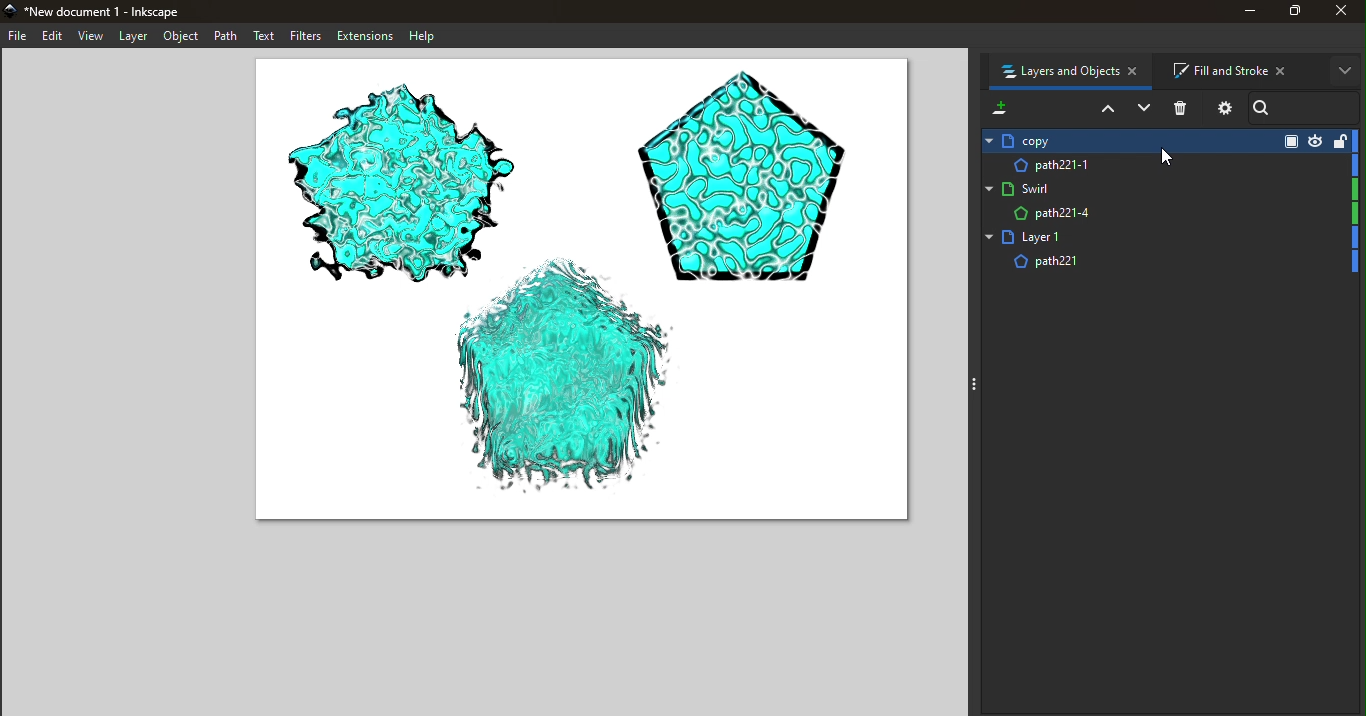 This screenshot has width=1366, height=716. I want to click on Object, so click(184, 36).